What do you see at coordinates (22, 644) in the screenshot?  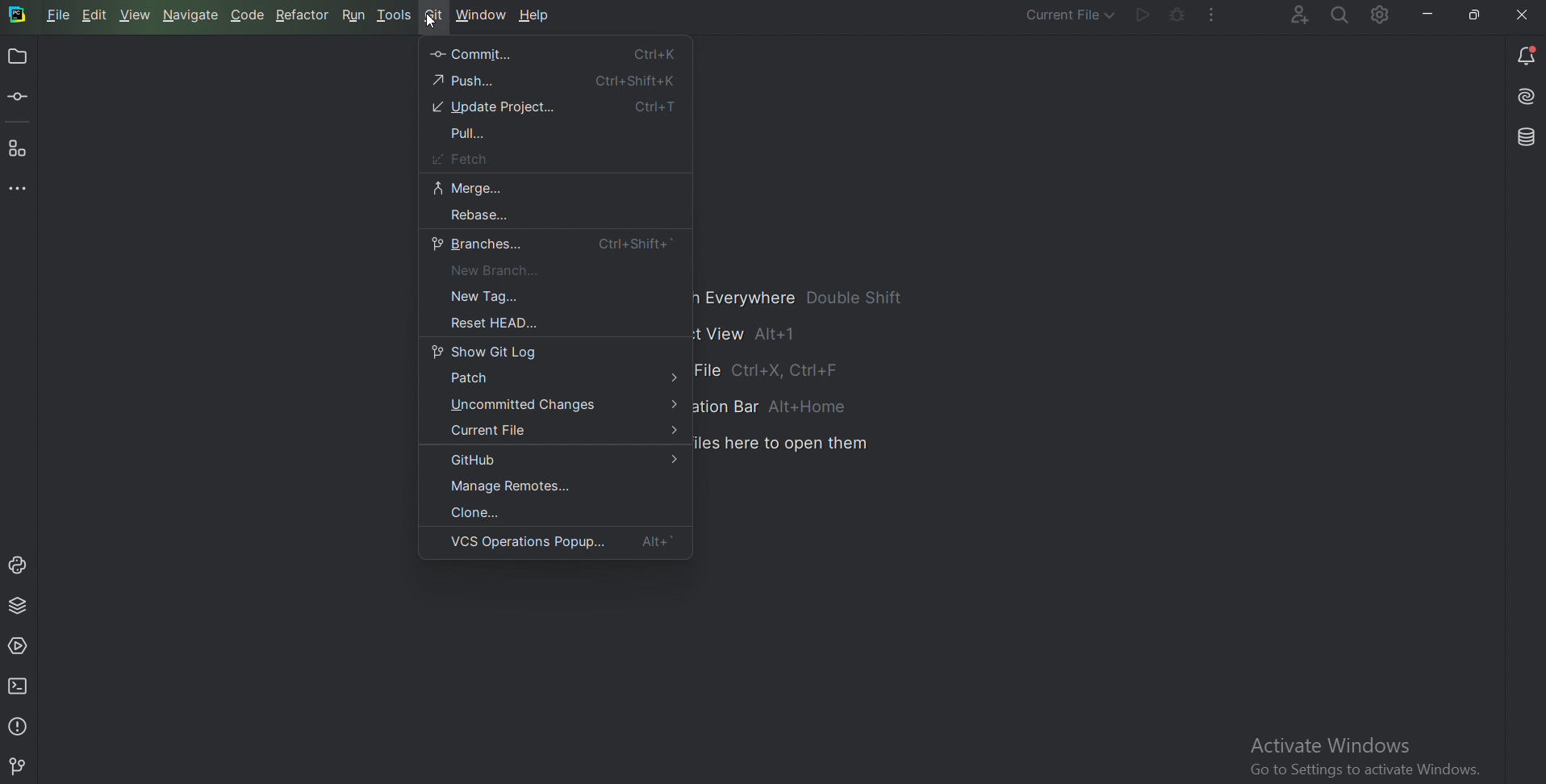 I see `Services` at bounding box center [22, 644].